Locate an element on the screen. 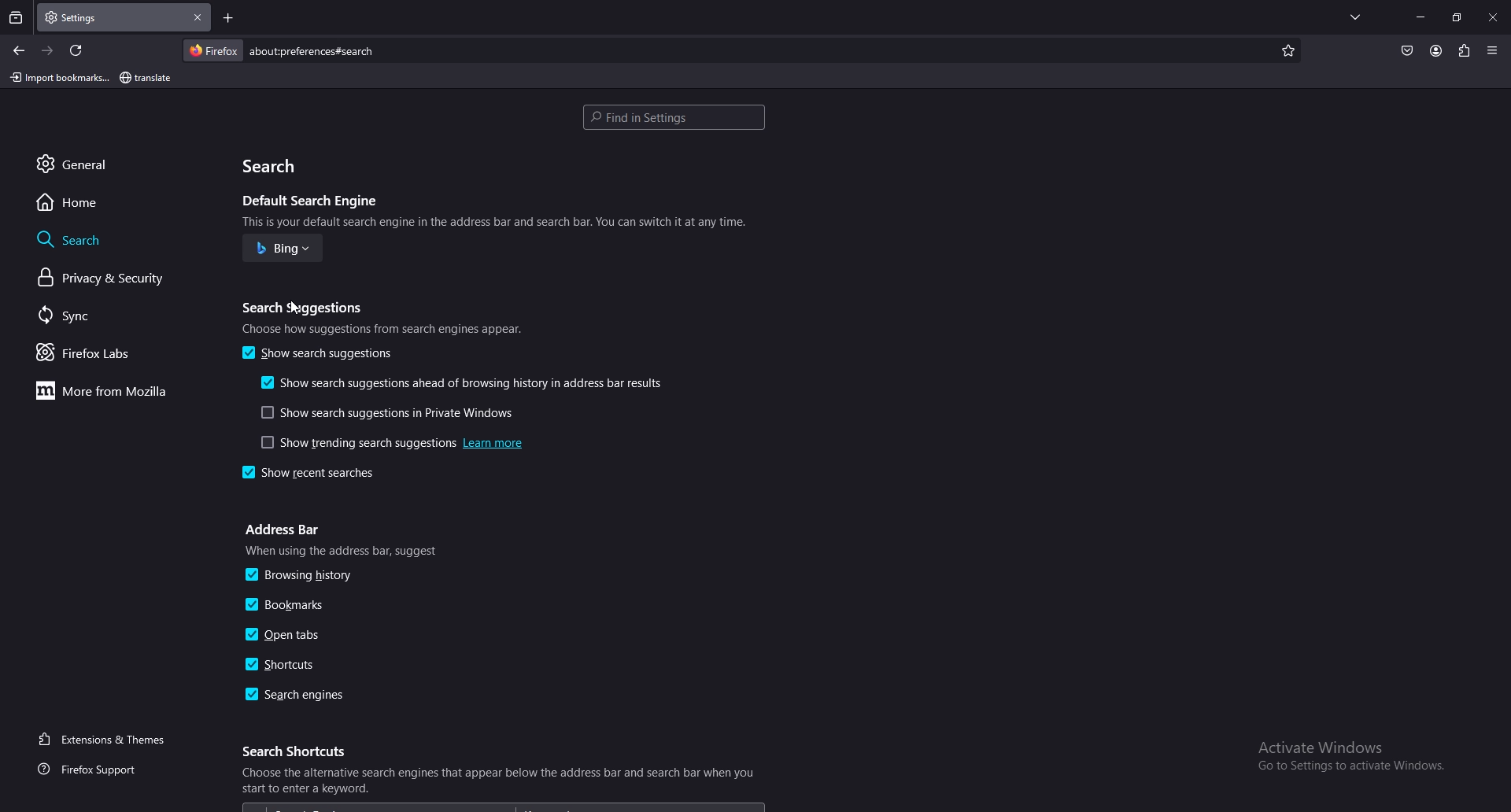  bookmark is located at coordinates (147, 79).